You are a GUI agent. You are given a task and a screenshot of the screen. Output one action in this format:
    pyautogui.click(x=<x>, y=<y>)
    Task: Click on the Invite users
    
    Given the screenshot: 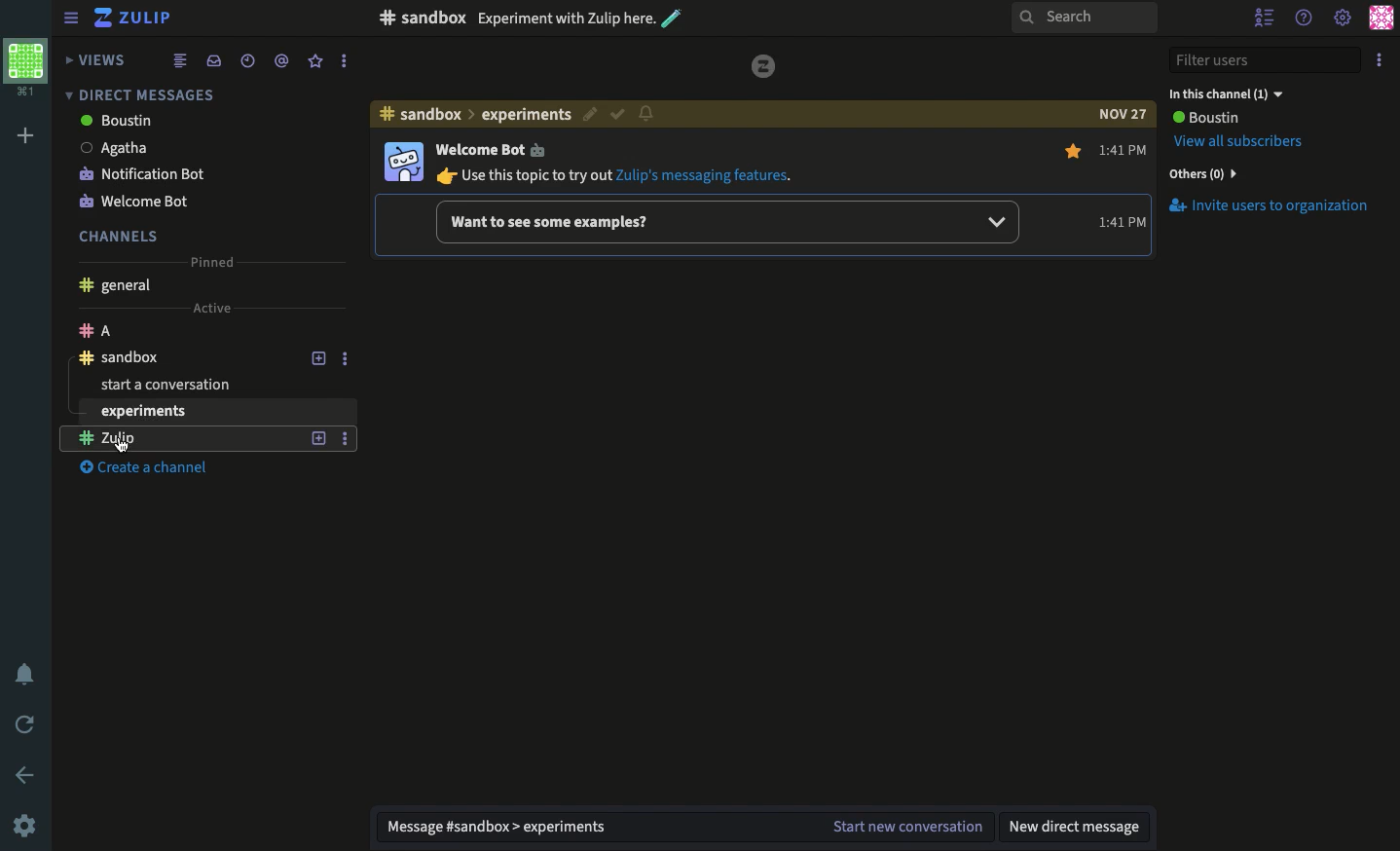 What is the action you would take?
    pyautogui.click(x=1268, y=205)
    